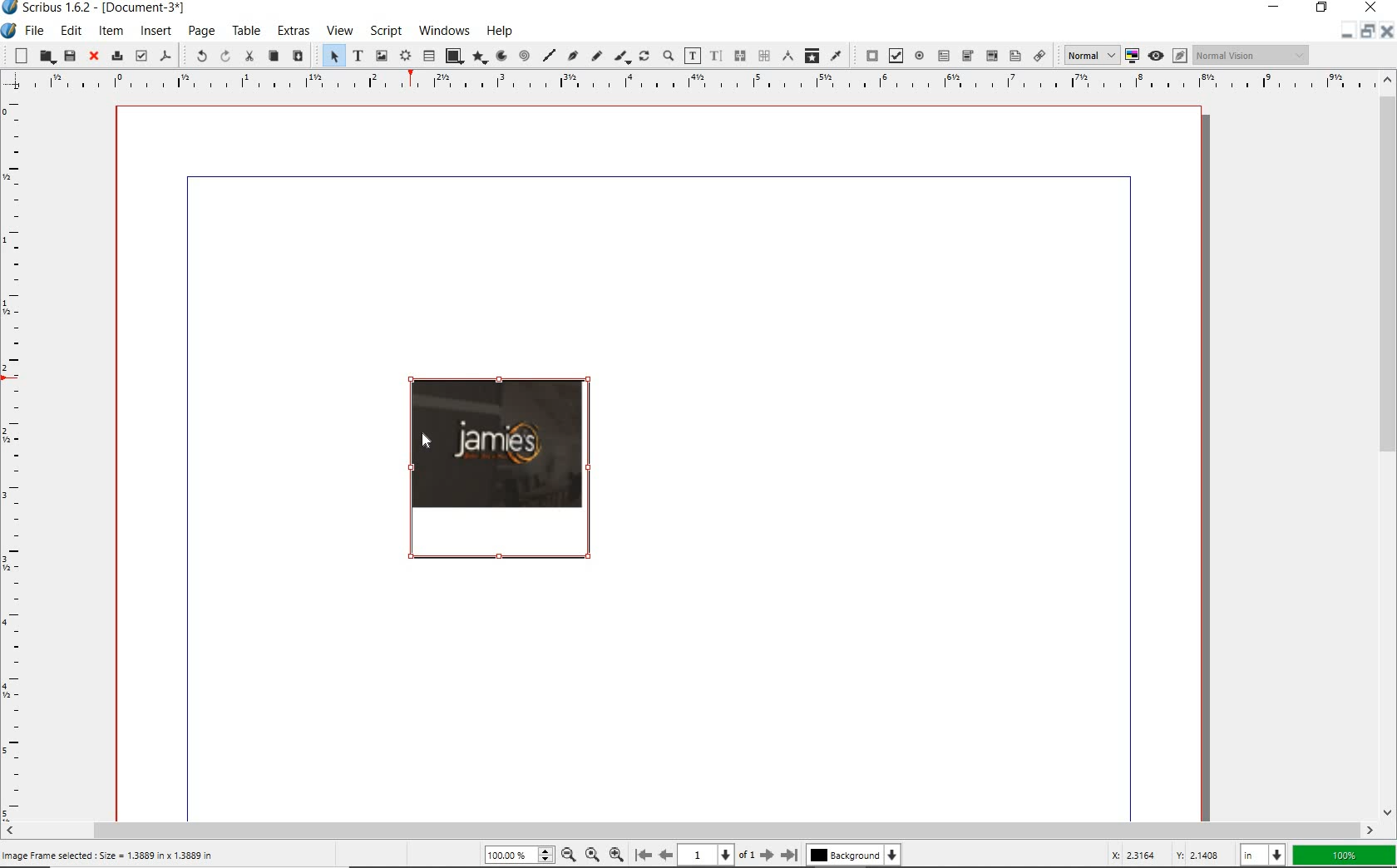 Image resolution: width=1397 pixels, height=868 pixels. I want to click on INSERT AN IMAGE FRAME, so click(111, 855).